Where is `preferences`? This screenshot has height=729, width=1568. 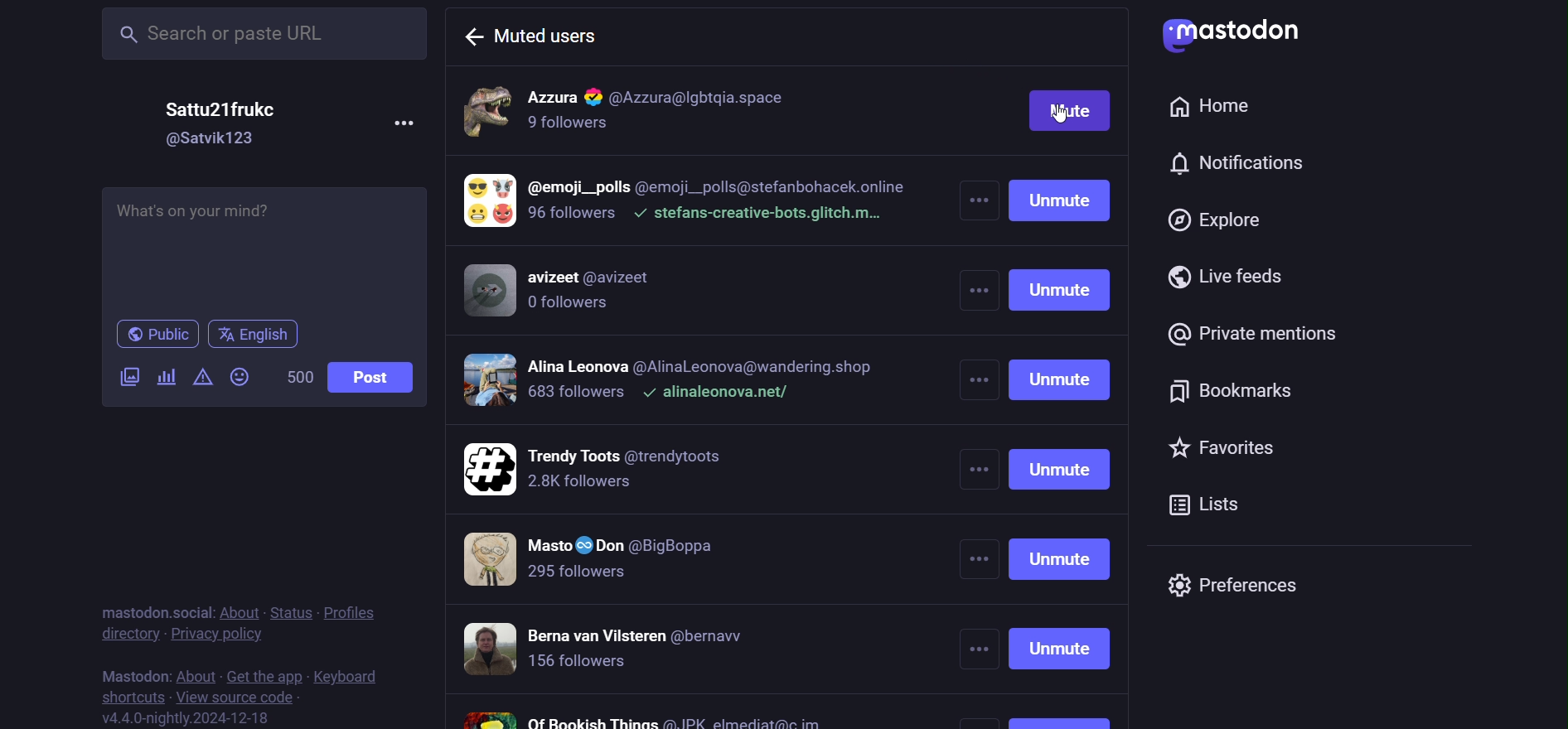
preferences is located at coordinates (1242, 587).